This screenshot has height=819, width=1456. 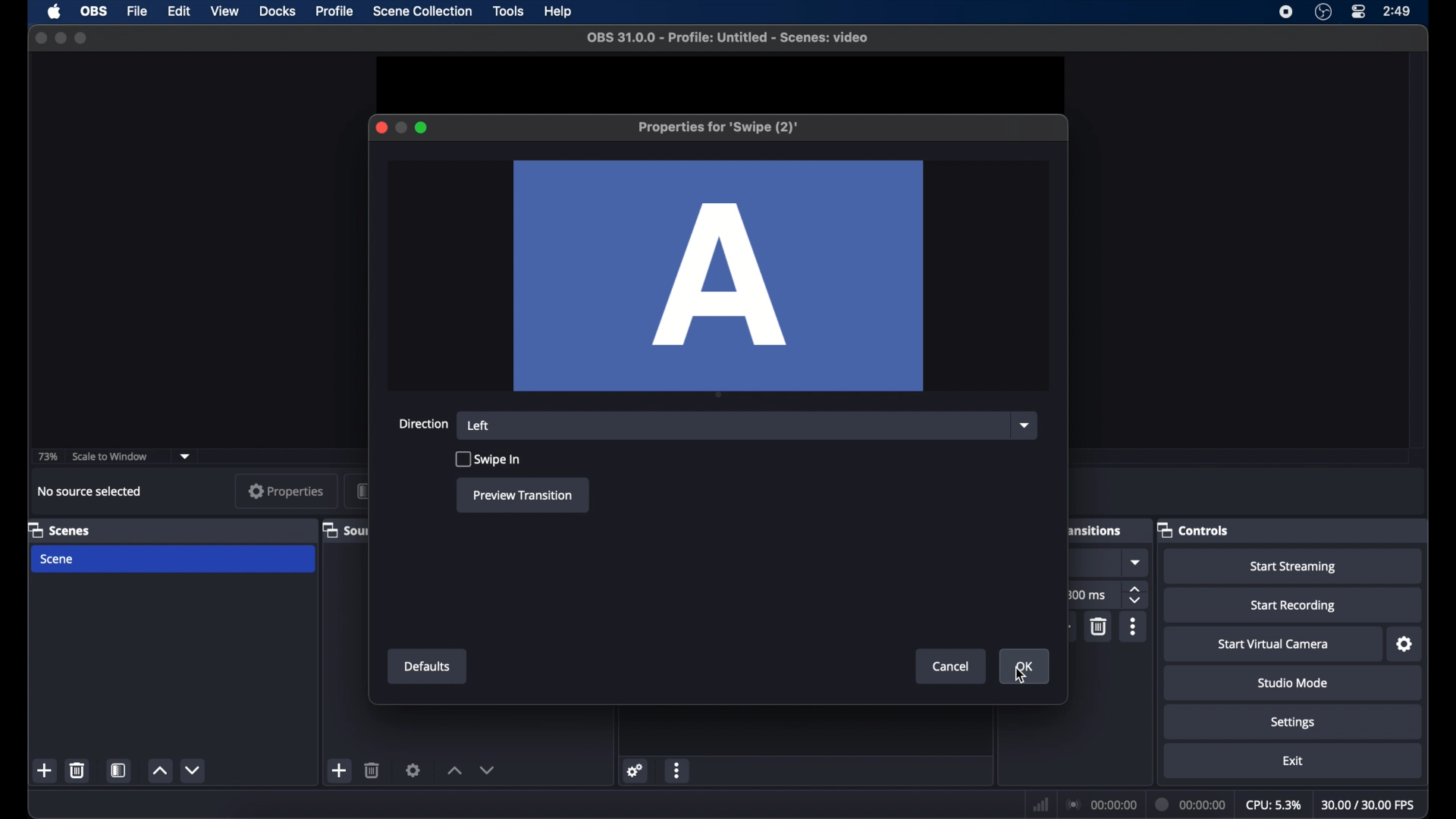 What do you see at coordinates (1133, 626) in the screenshot?
I see `moreoptions` at bounding box center [1133, 626].